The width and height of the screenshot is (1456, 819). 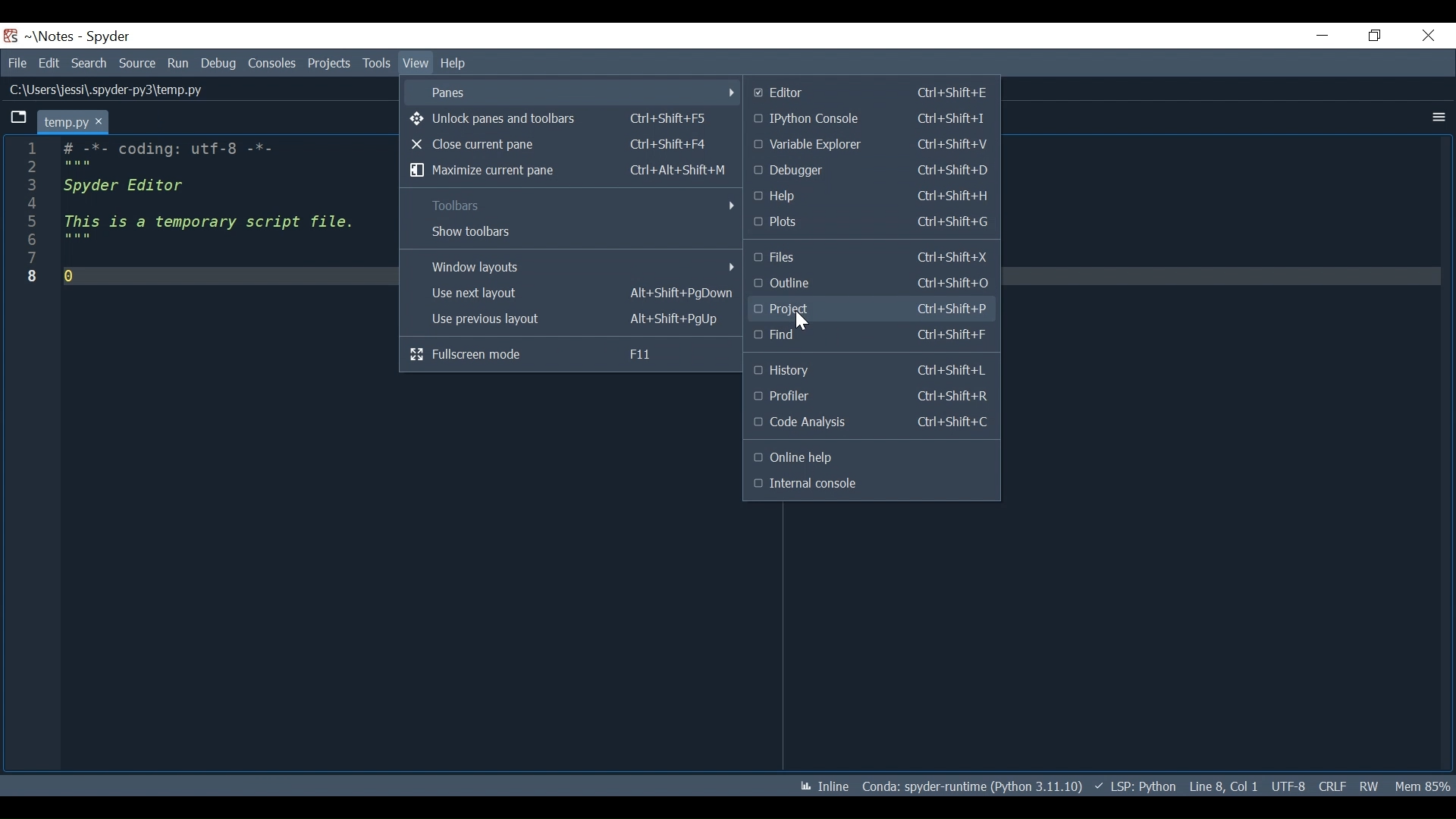 What do you see at coordinates (72, 121) in the screenshot?
I see `temp.py` at bounding box center [72, 121].